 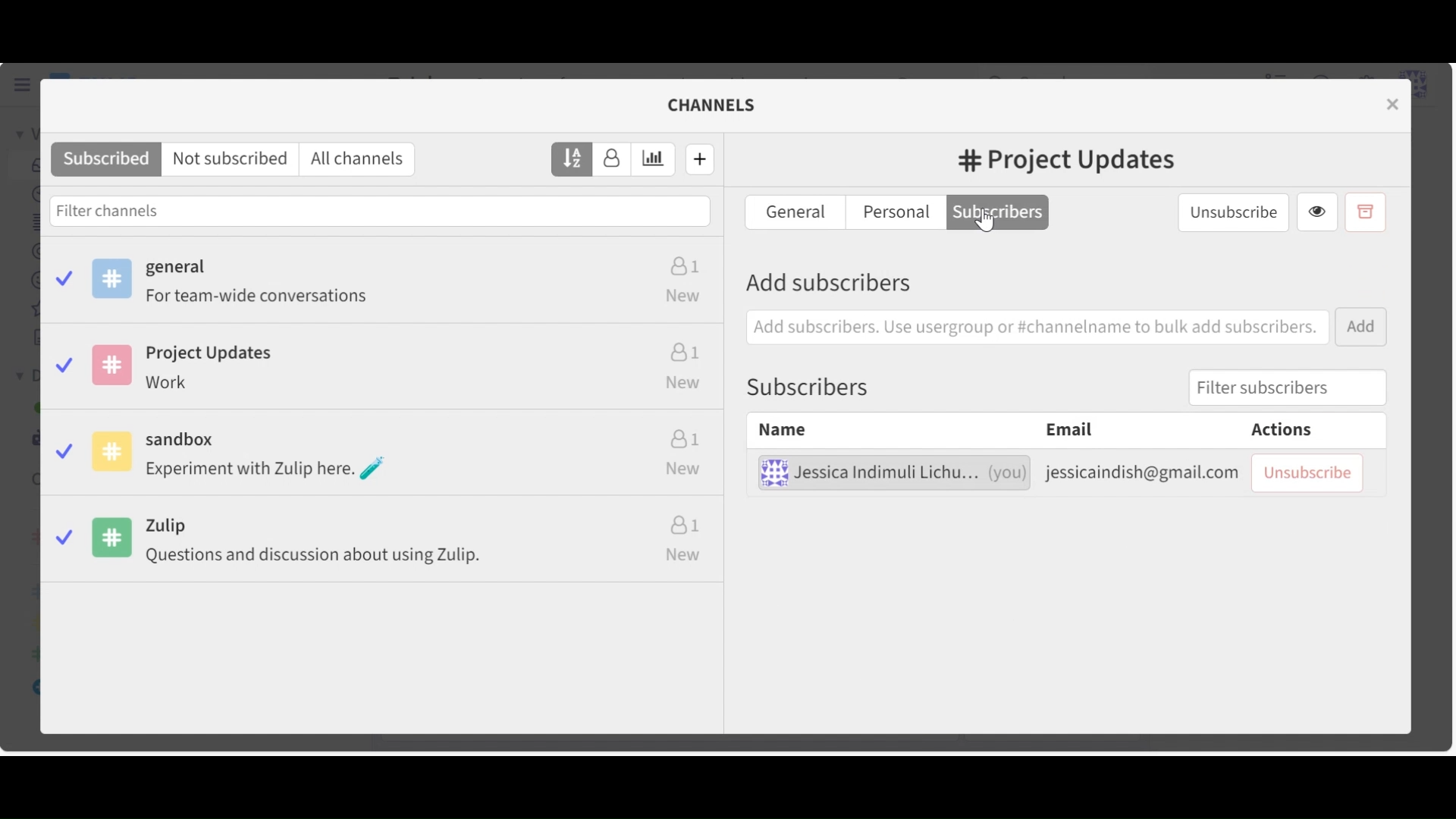 I want to click on CHANNELS, so click(x=705, y=105).